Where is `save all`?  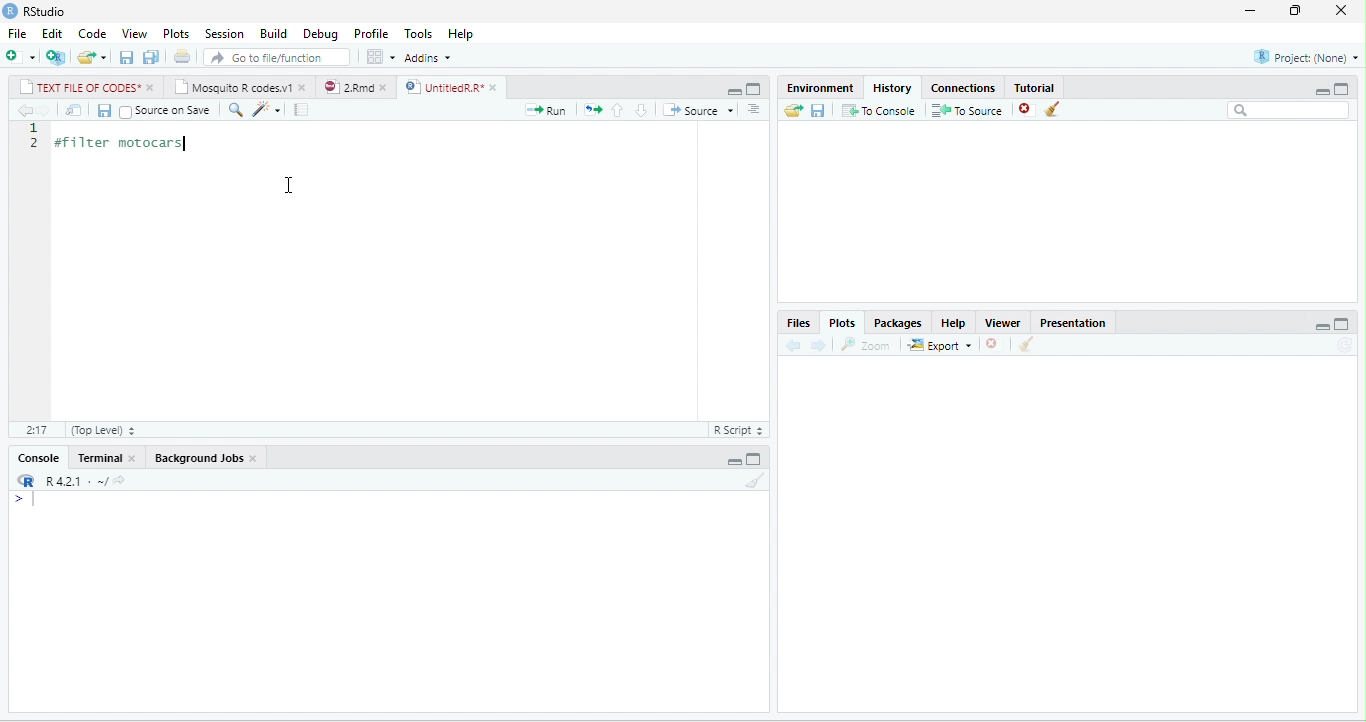 save all is located at coordinates (150, 57).